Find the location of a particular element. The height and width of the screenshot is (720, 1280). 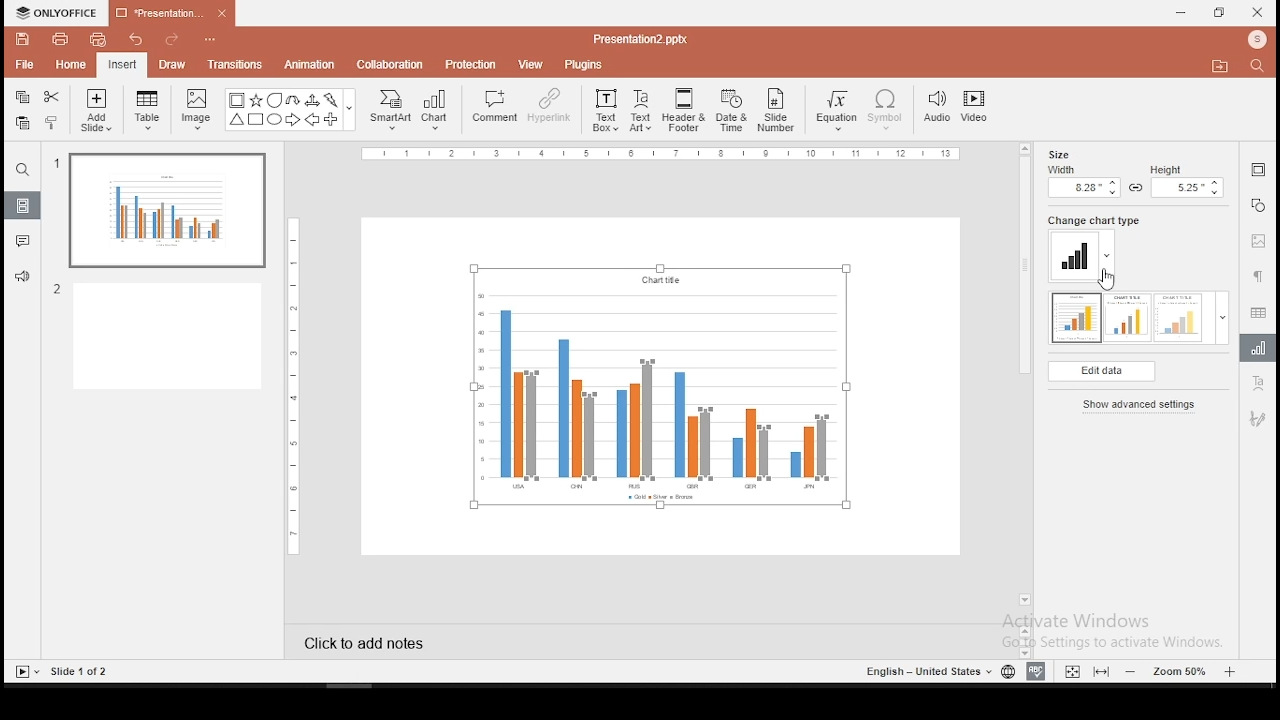

equation is located at coordinates (838, 110).